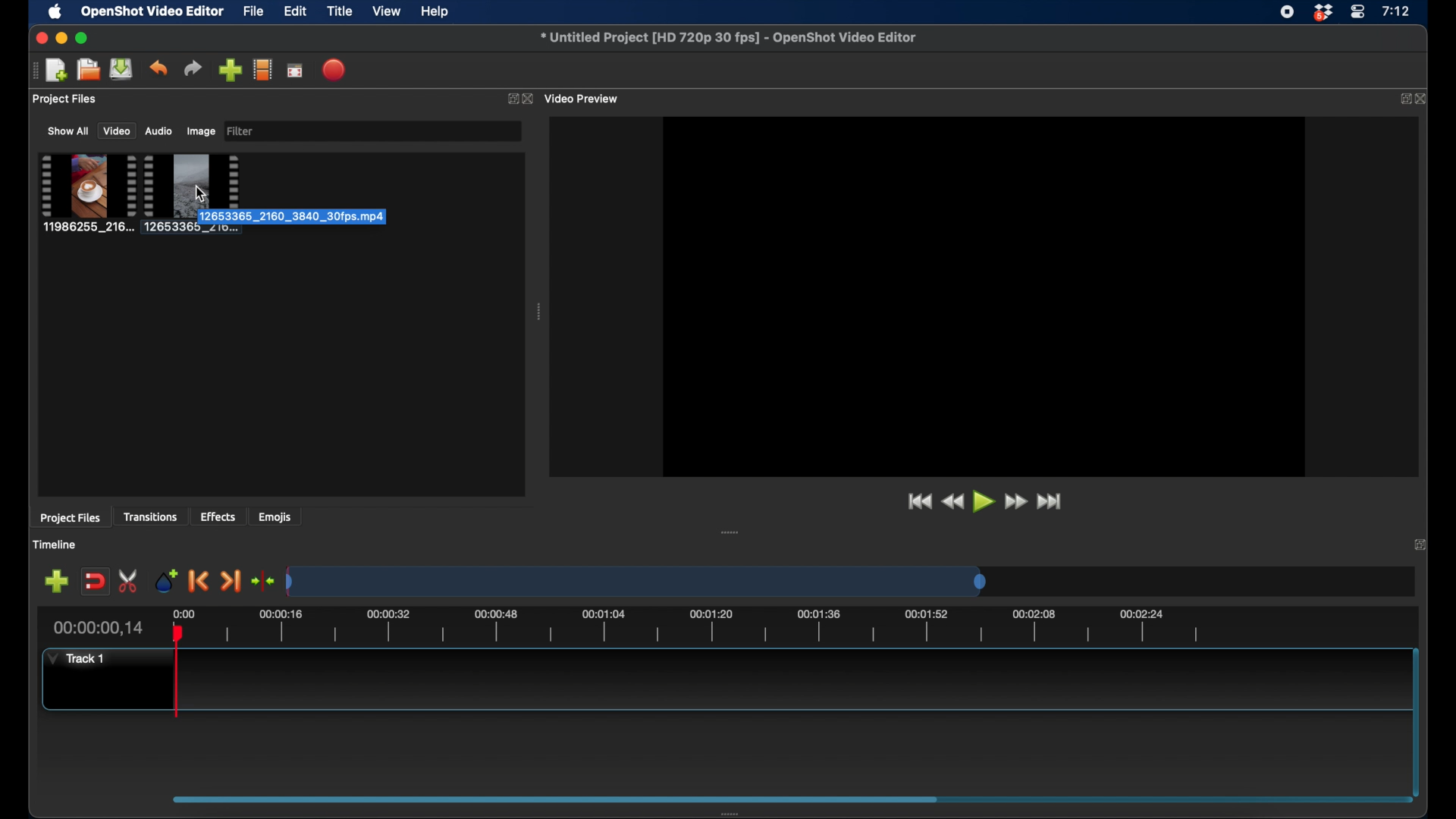  I want to click on center the playhead on timeline, so click(264, 580).